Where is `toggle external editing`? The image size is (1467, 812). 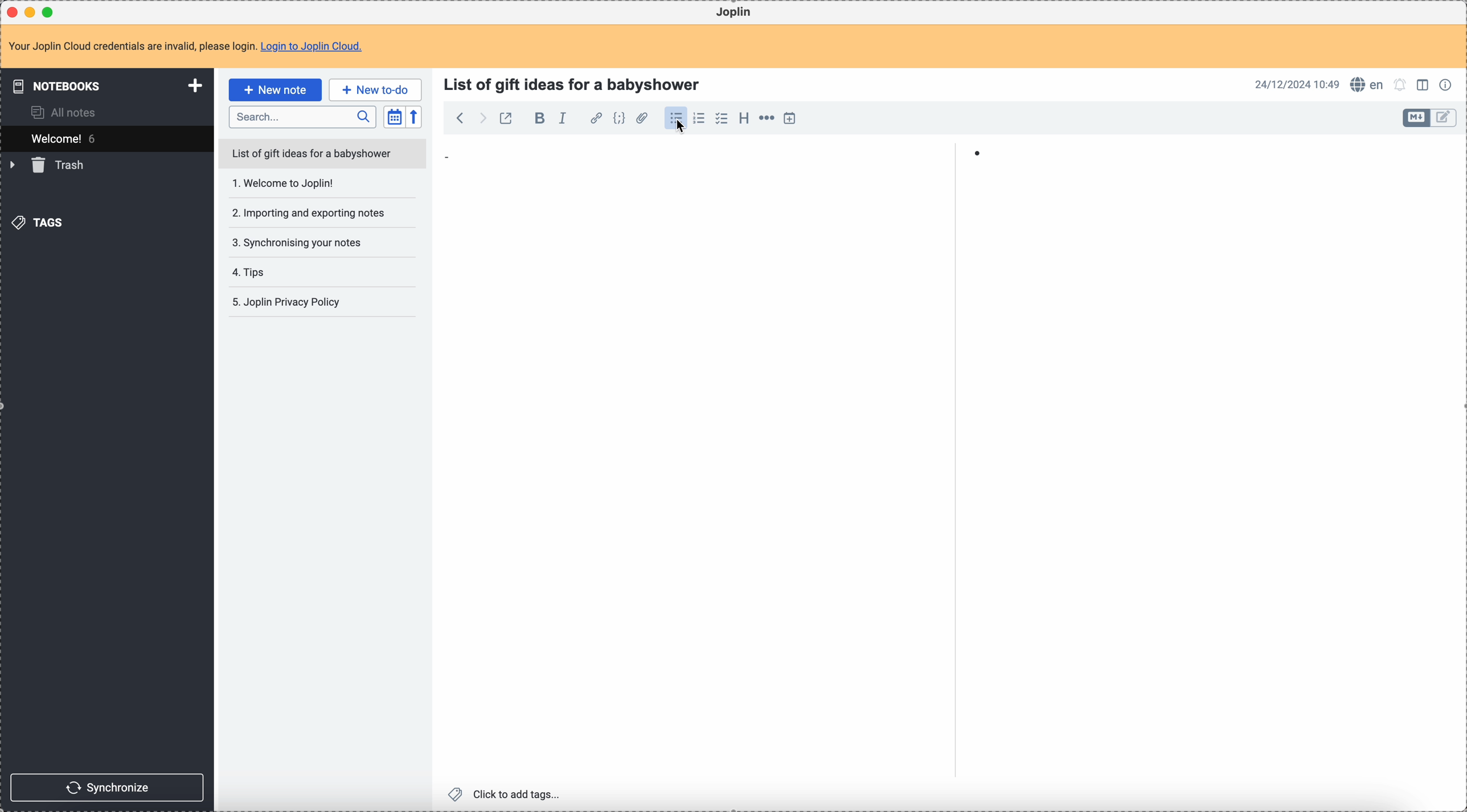 toggle external editing is located at coordinates (505, 118).